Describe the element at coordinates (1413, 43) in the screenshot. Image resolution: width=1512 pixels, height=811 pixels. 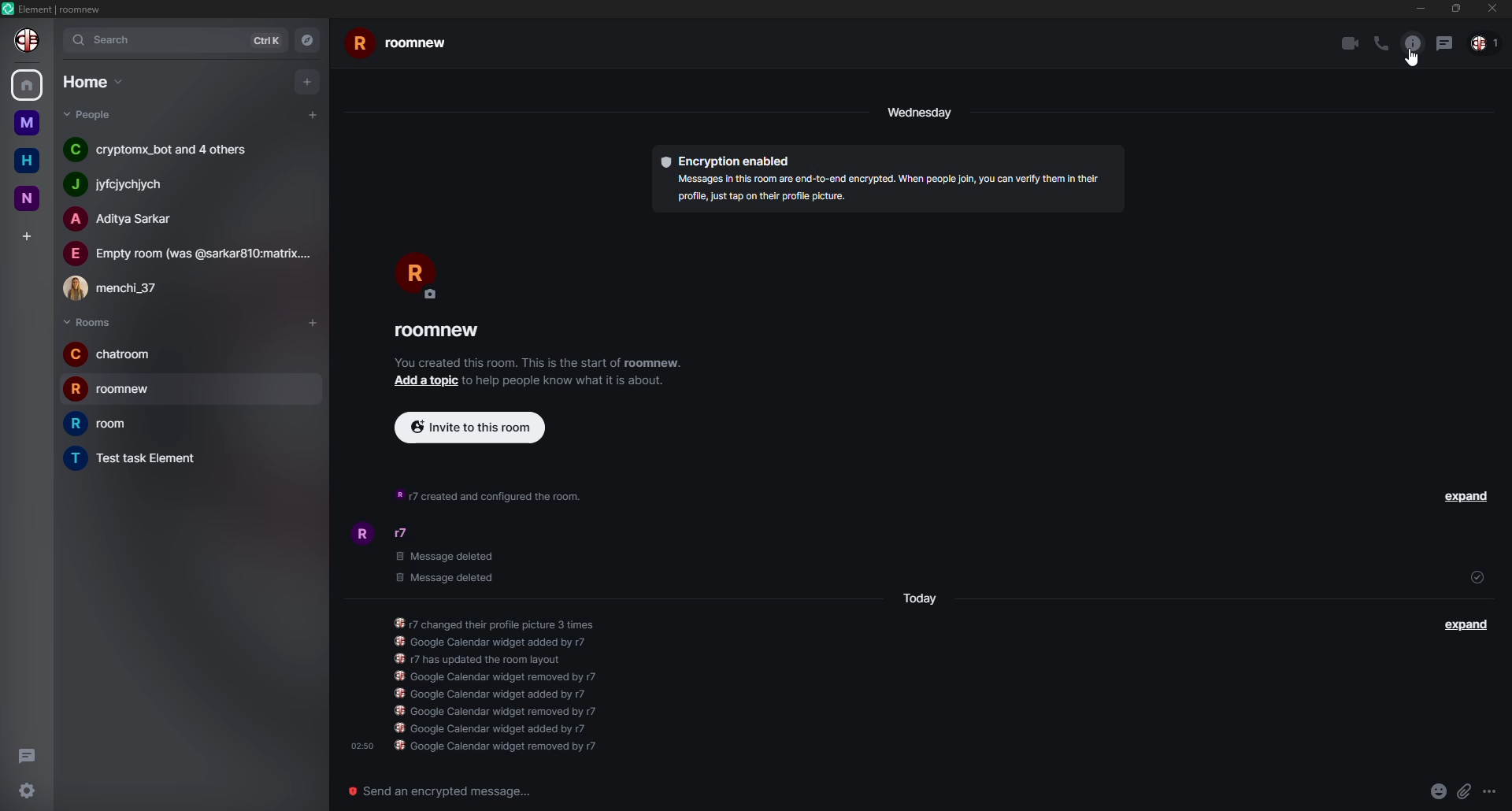
I see `info` at that location.